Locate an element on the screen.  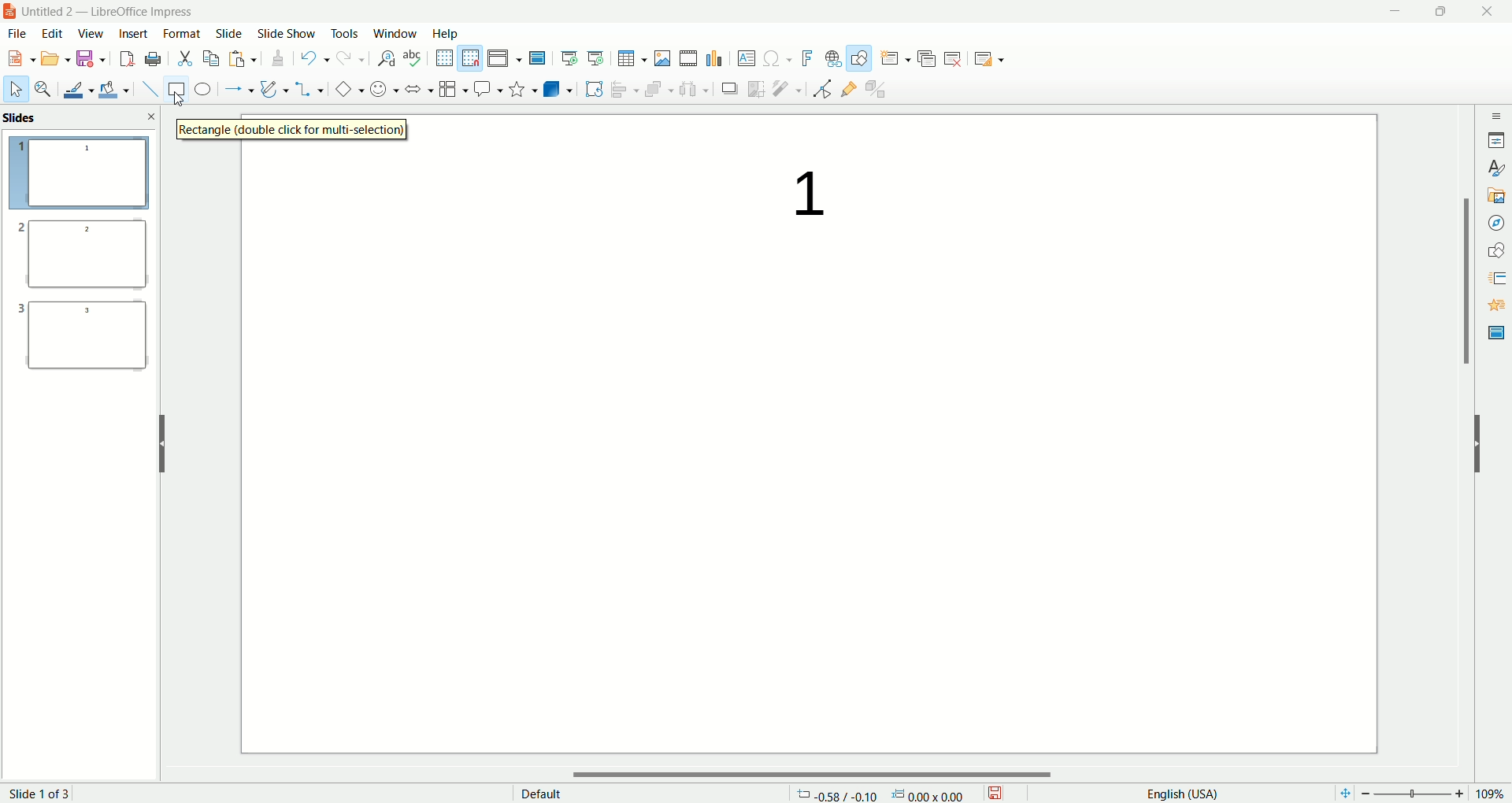
zoom factor is located at coordinates (1420, 794).